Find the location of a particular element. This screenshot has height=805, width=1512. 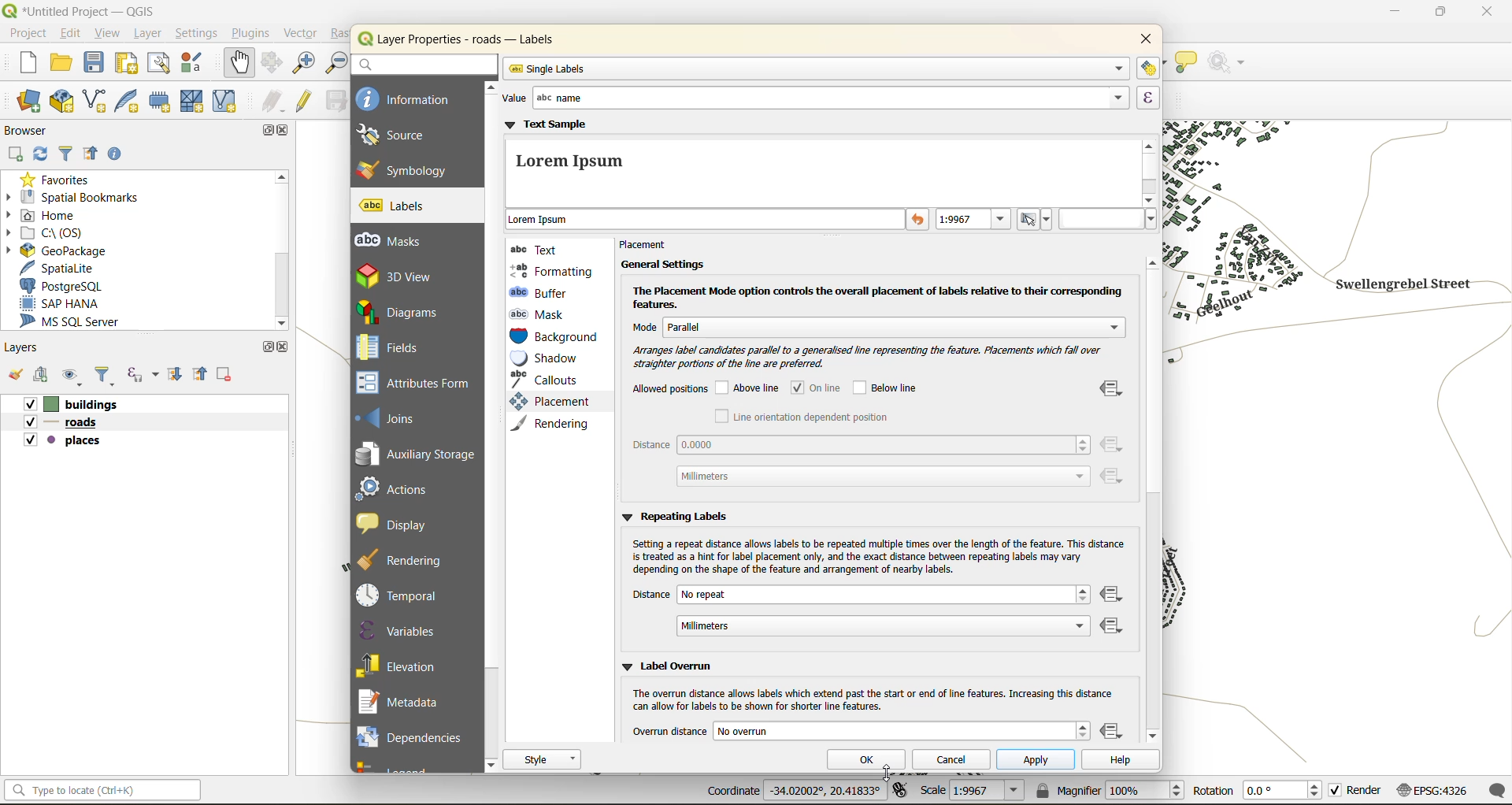

rendering is located at coordinates (556, 423).